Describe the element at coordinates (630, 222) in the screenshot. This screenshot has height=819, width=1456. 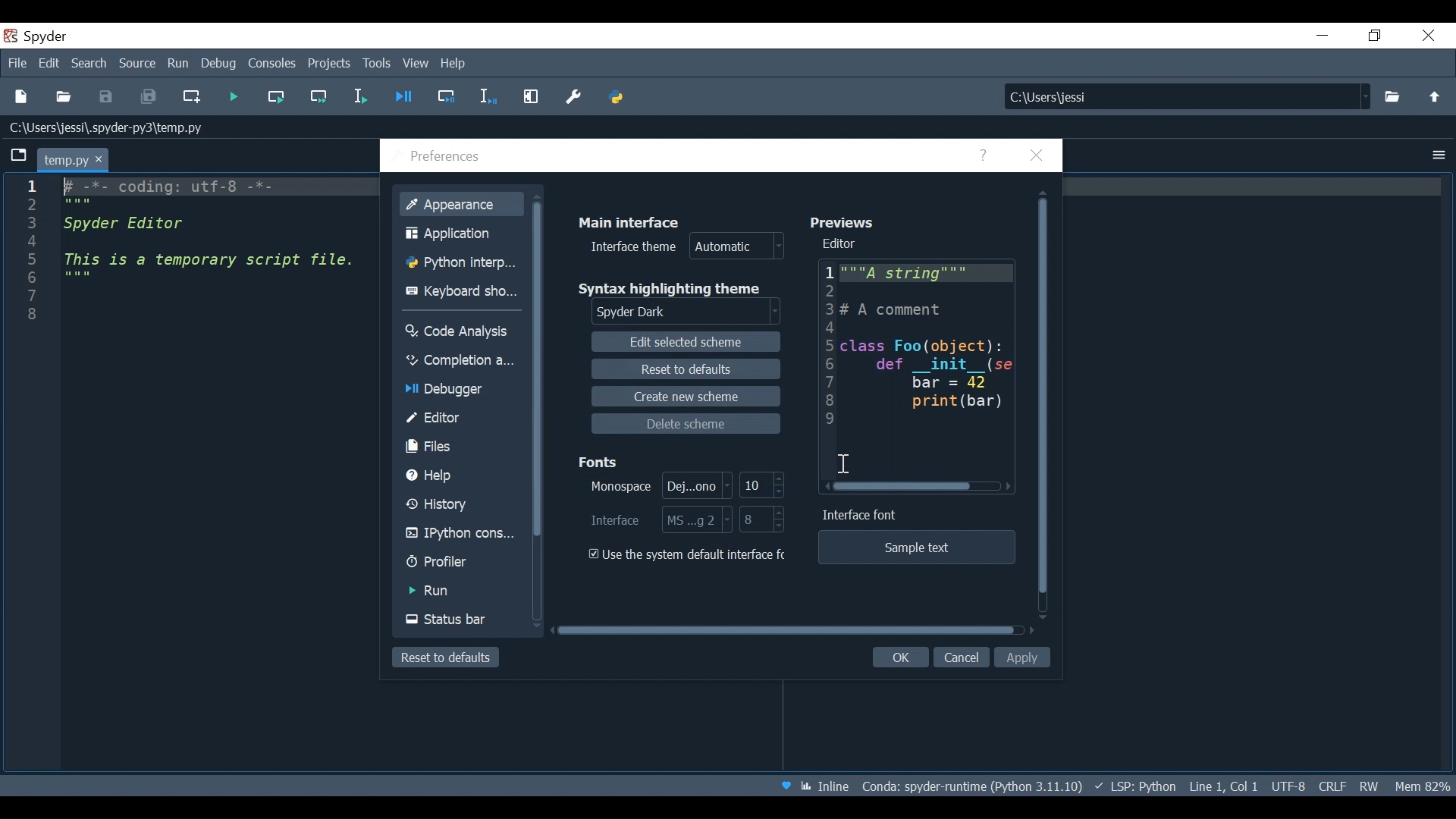
I see `Main interface` at that location.